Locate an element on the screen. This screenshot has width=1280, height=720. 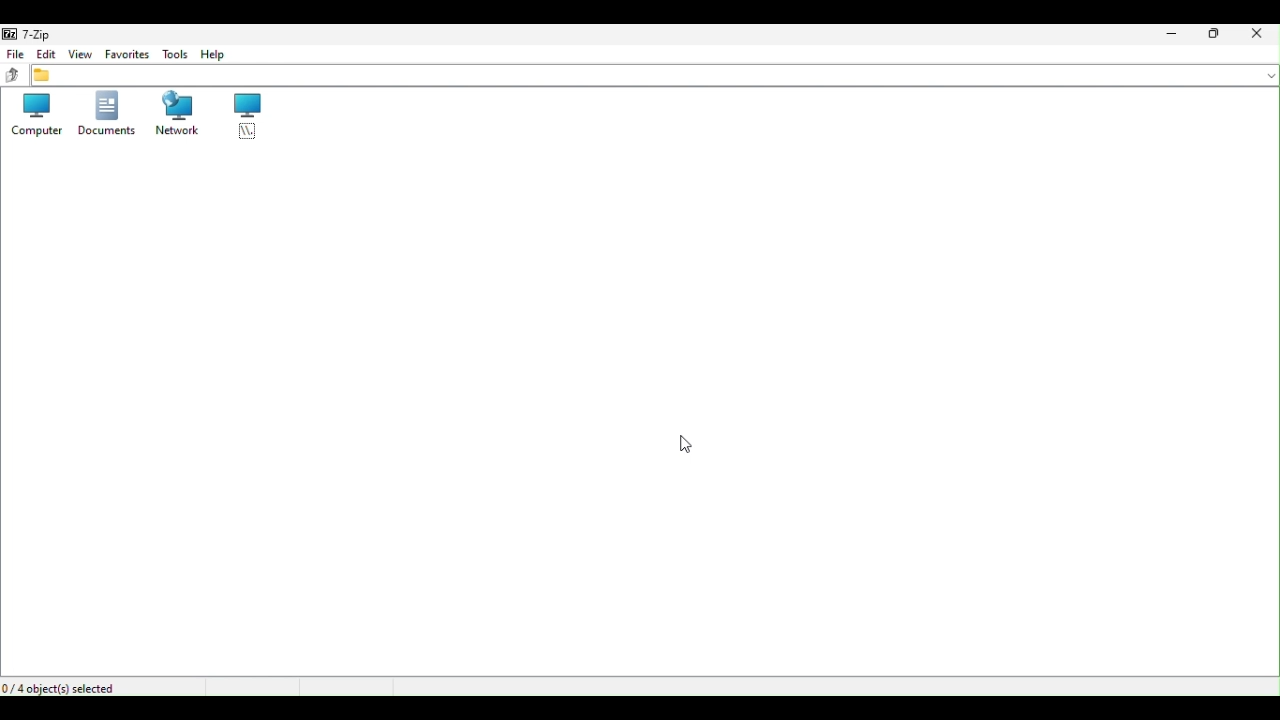
Favourite is located at coordinates (127, 52).